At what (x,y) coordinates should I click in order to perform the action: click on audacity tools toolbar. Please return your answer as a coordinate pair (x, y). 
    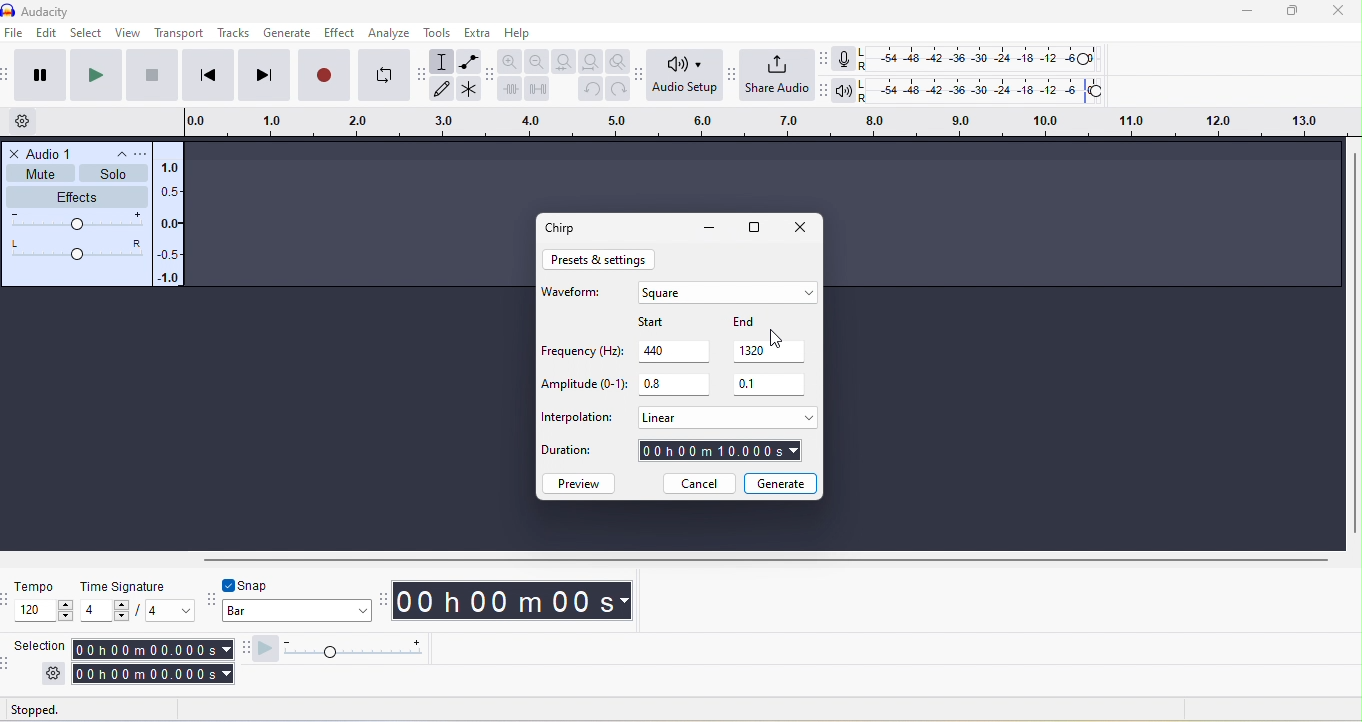
    Looking at the image, I should click on (424, 81).